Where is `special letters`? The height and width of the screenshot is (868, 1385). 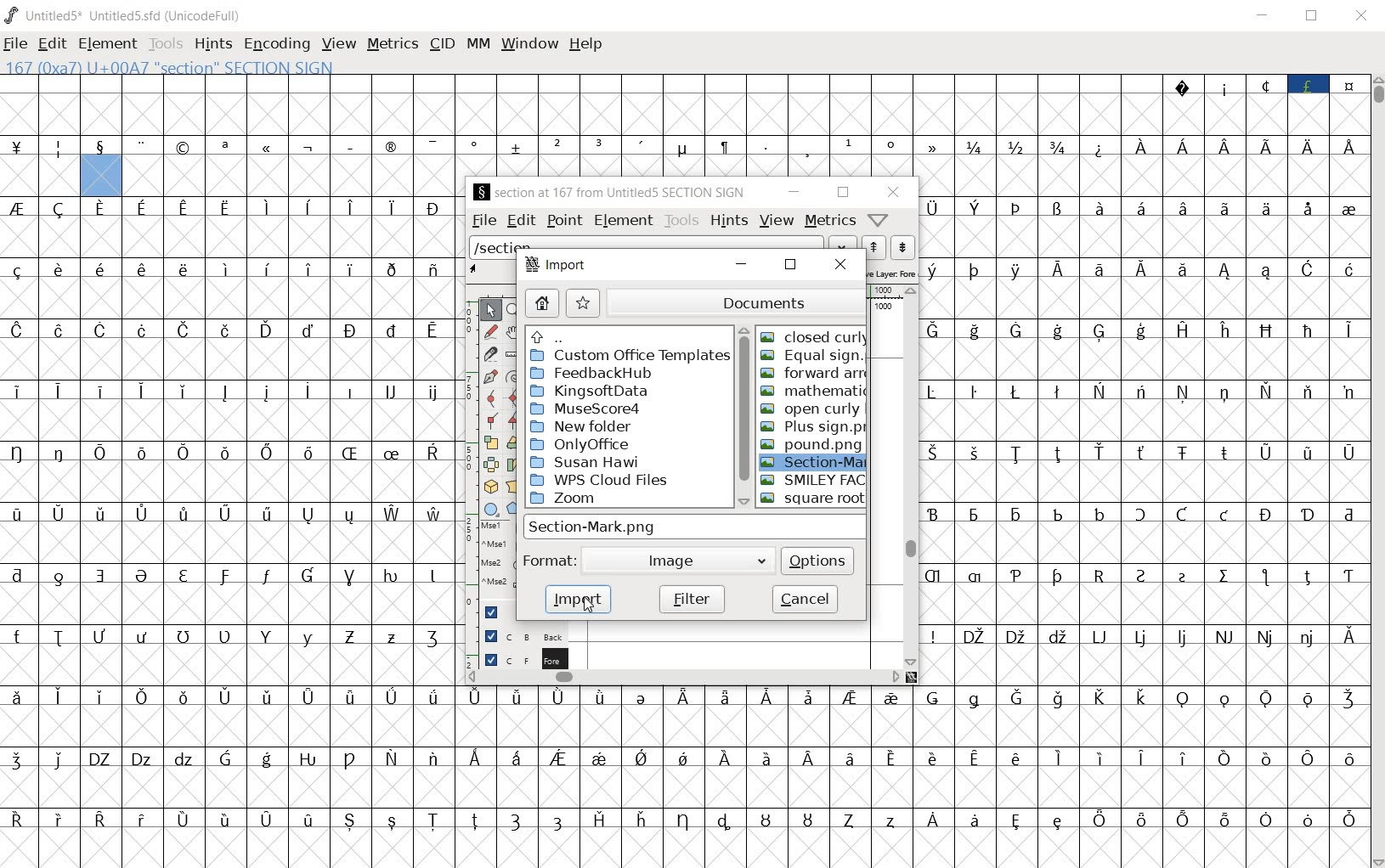
special letters is located at coordinates (687, 757).